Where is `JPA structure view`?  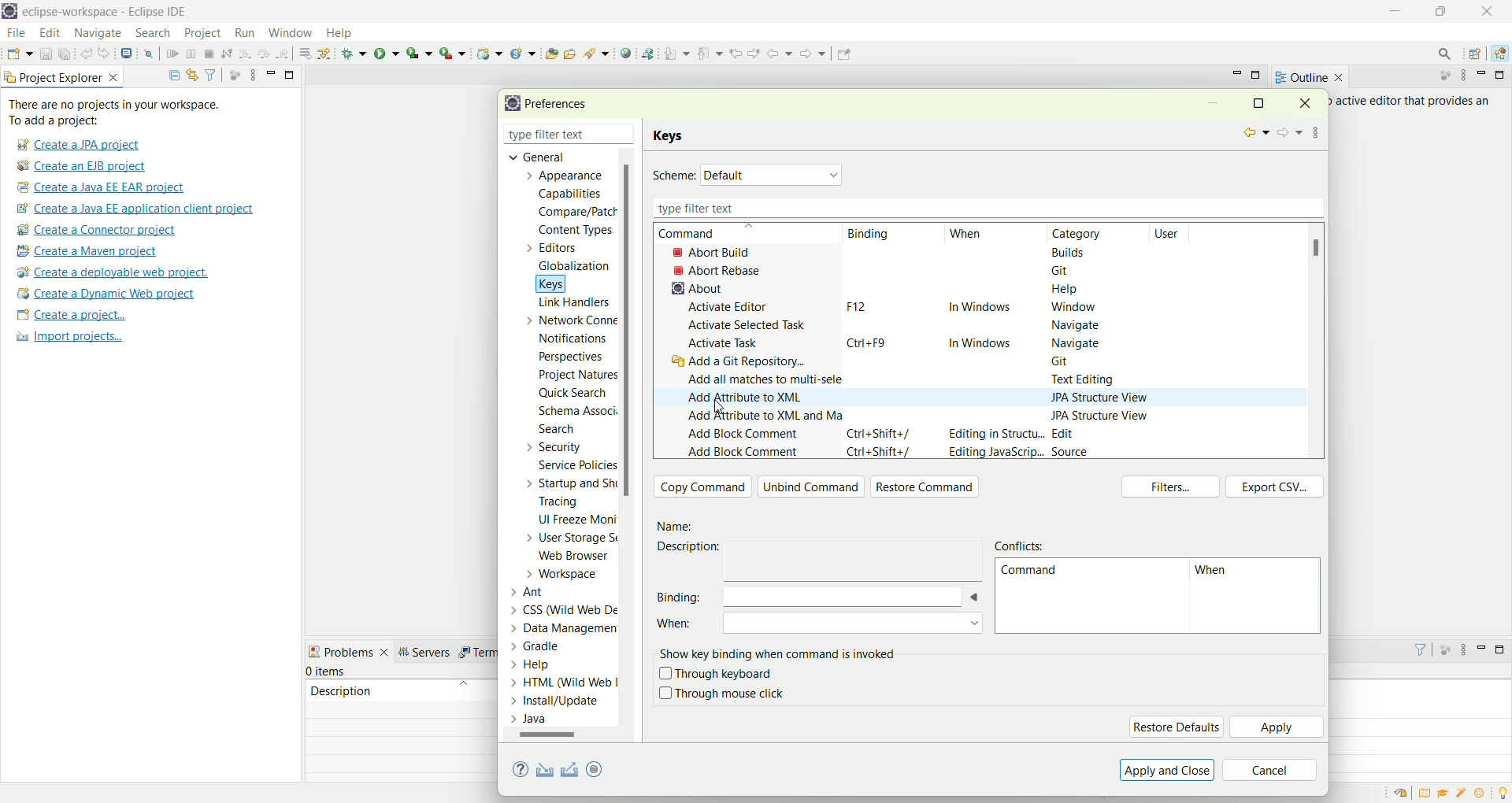 JPA structure view is located at coordinates (1100, 396).